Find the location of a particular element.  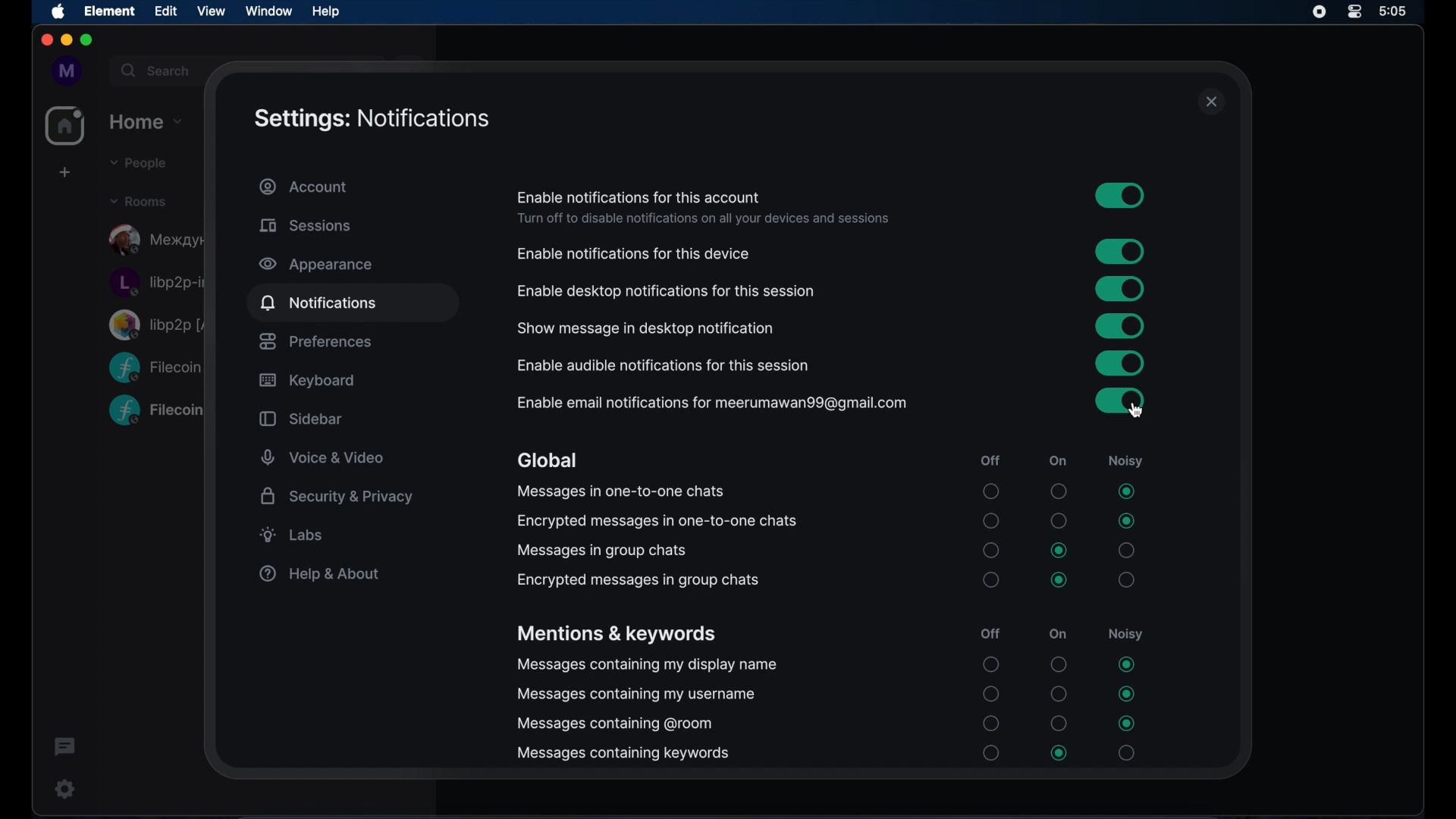

enable notifications for this account is located at coordinates (639, 197).